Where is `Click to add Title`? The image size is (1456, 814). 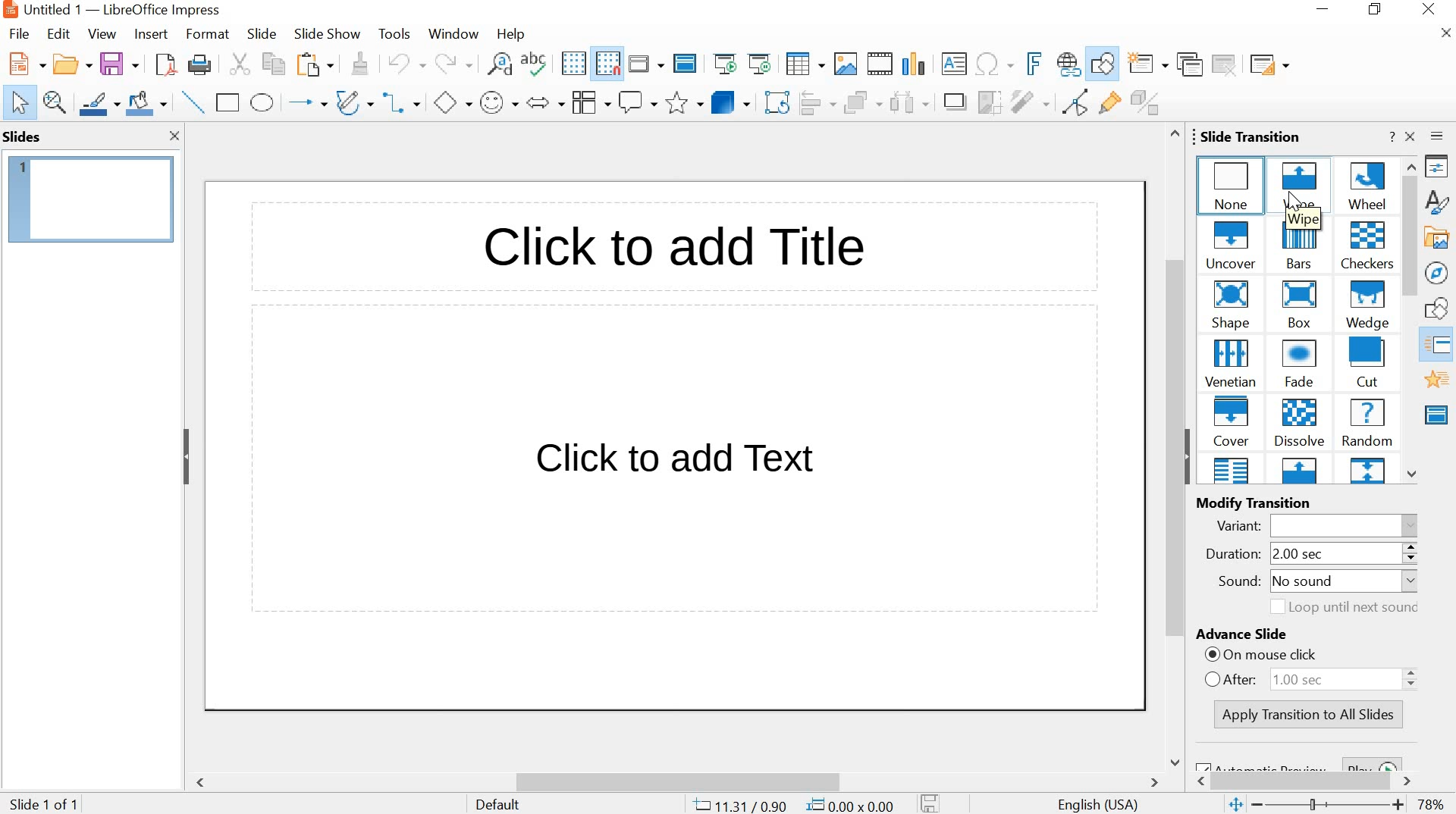
Click to add Title is located at coordinates (690, 253).